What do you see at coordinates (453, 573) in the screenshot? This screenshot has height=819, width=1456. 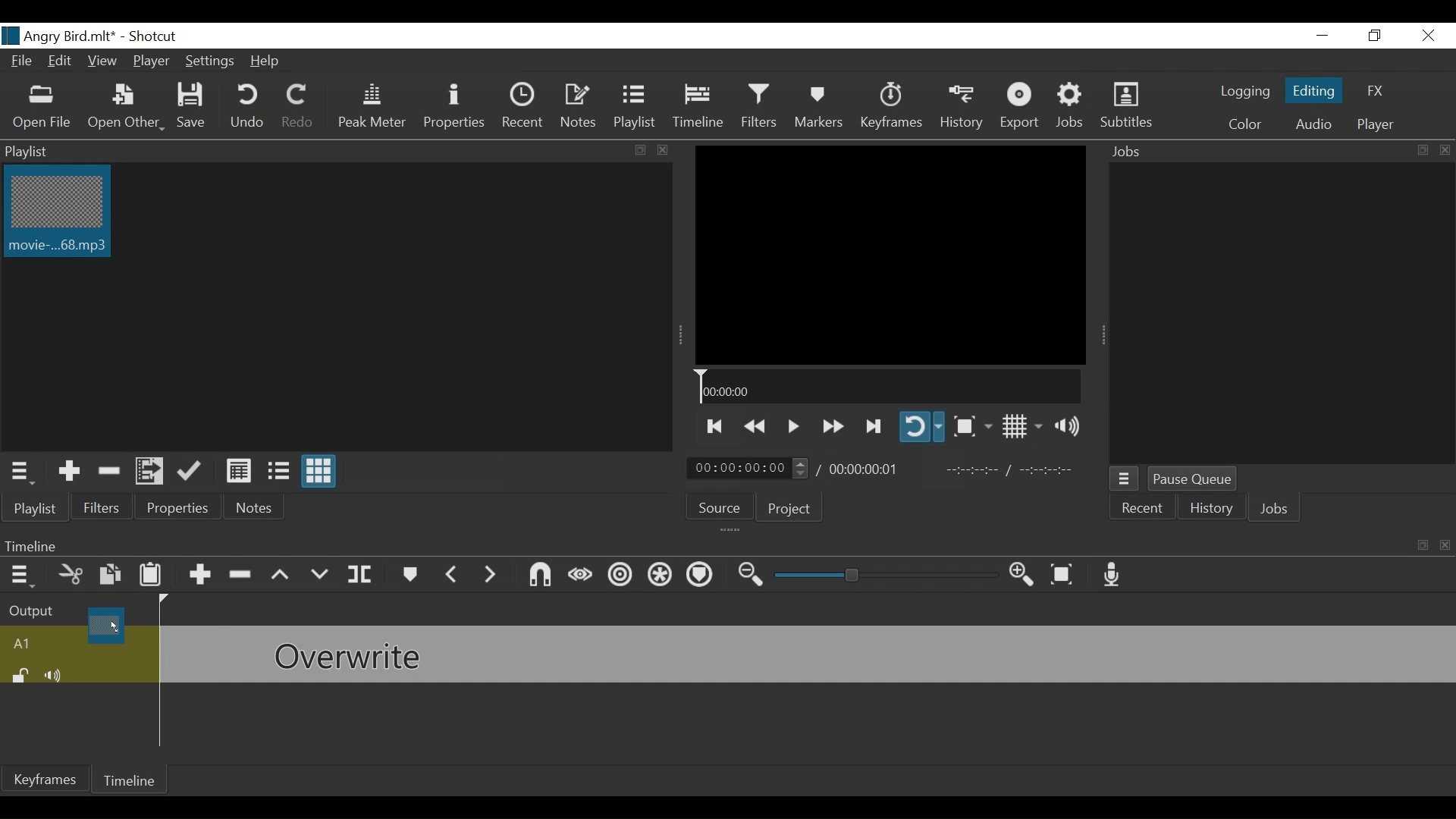 I see `Previous marker` at bounding box center [453, 573].